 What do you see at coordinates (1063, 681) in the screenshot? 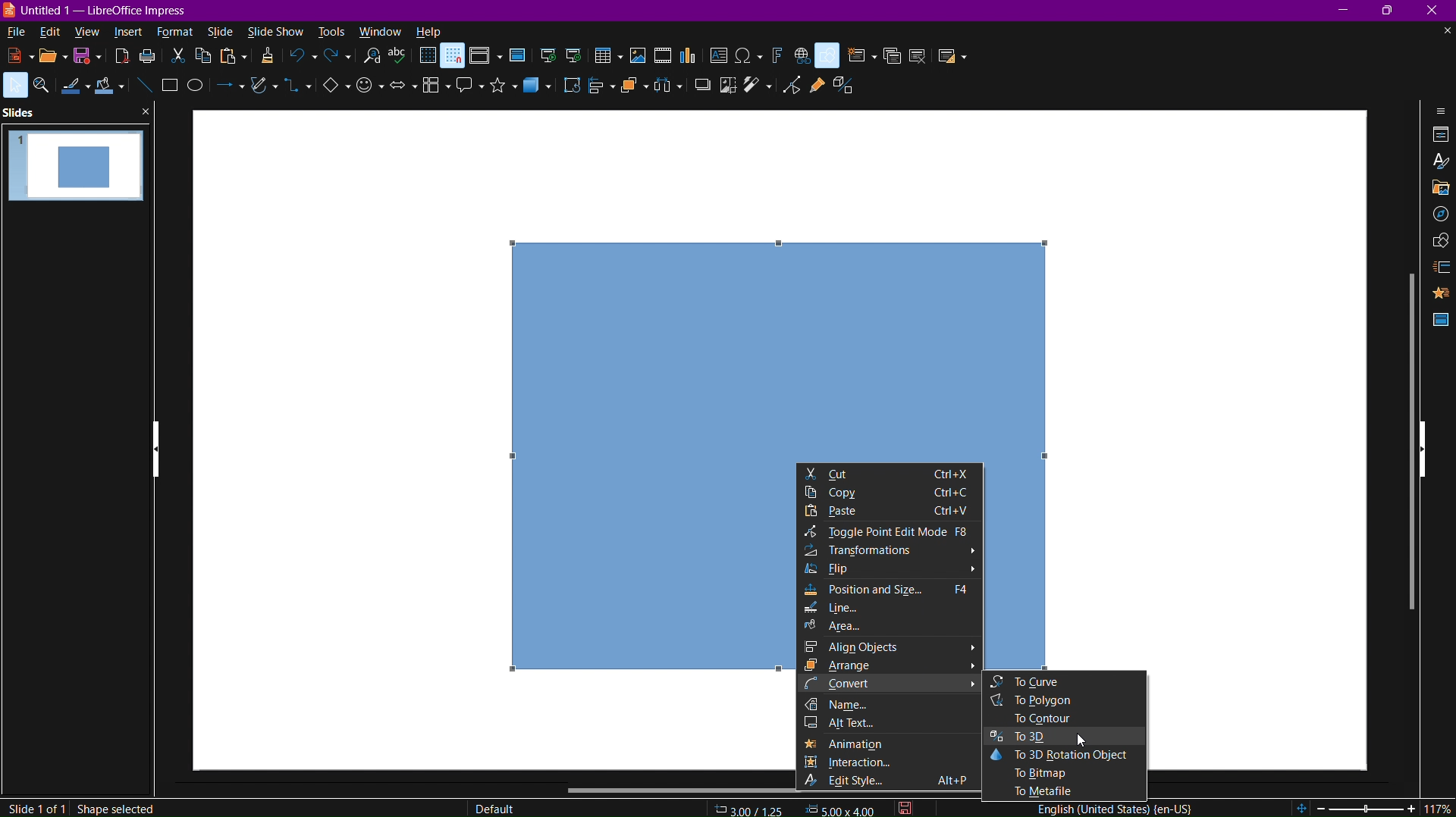
I see `To Curve` at bounding box center [1063, 681].